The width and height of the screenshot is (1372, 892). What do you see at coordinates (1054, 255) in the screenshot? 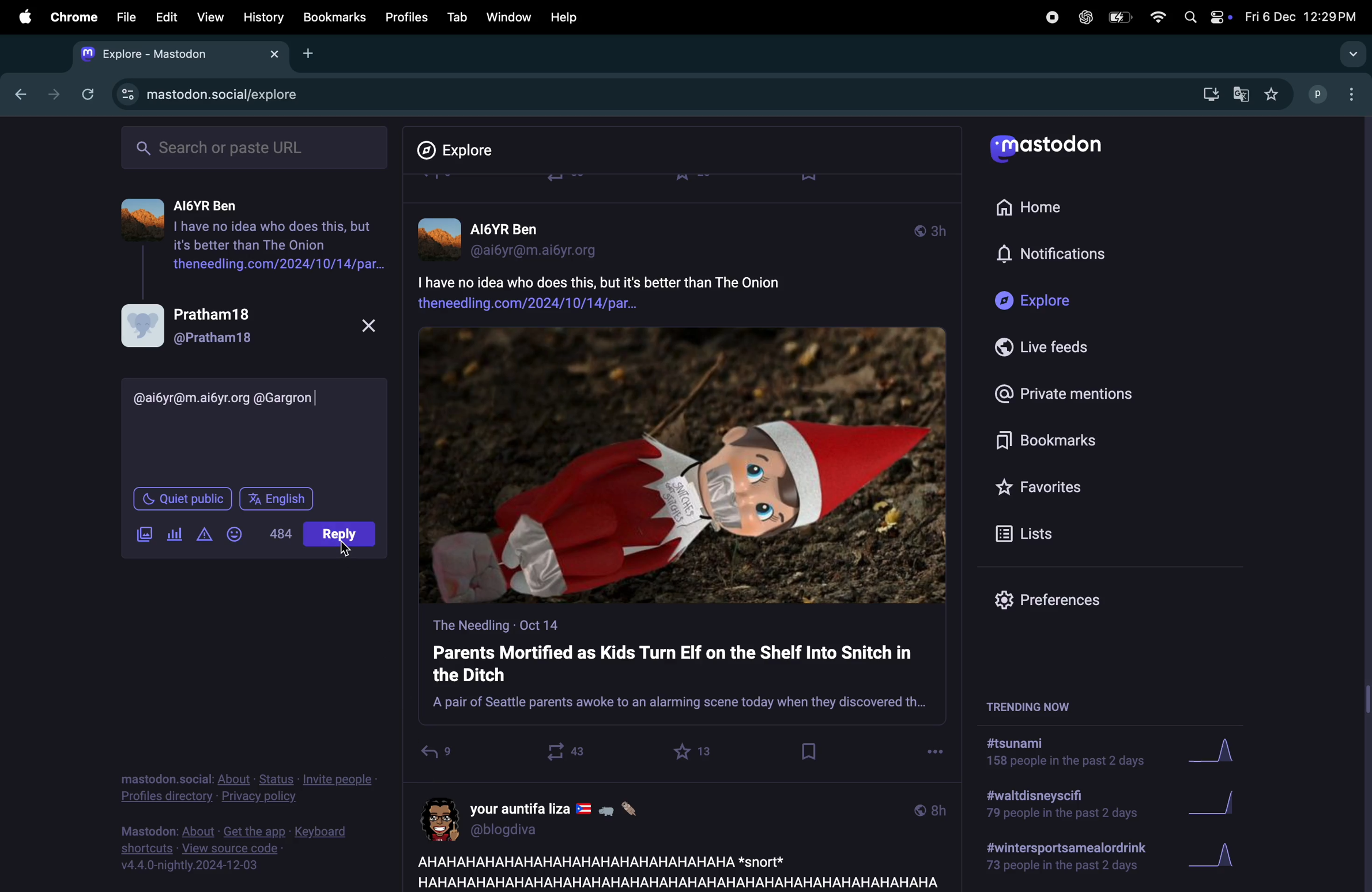
I see `Notifications` at bounding box center [1054, 255].